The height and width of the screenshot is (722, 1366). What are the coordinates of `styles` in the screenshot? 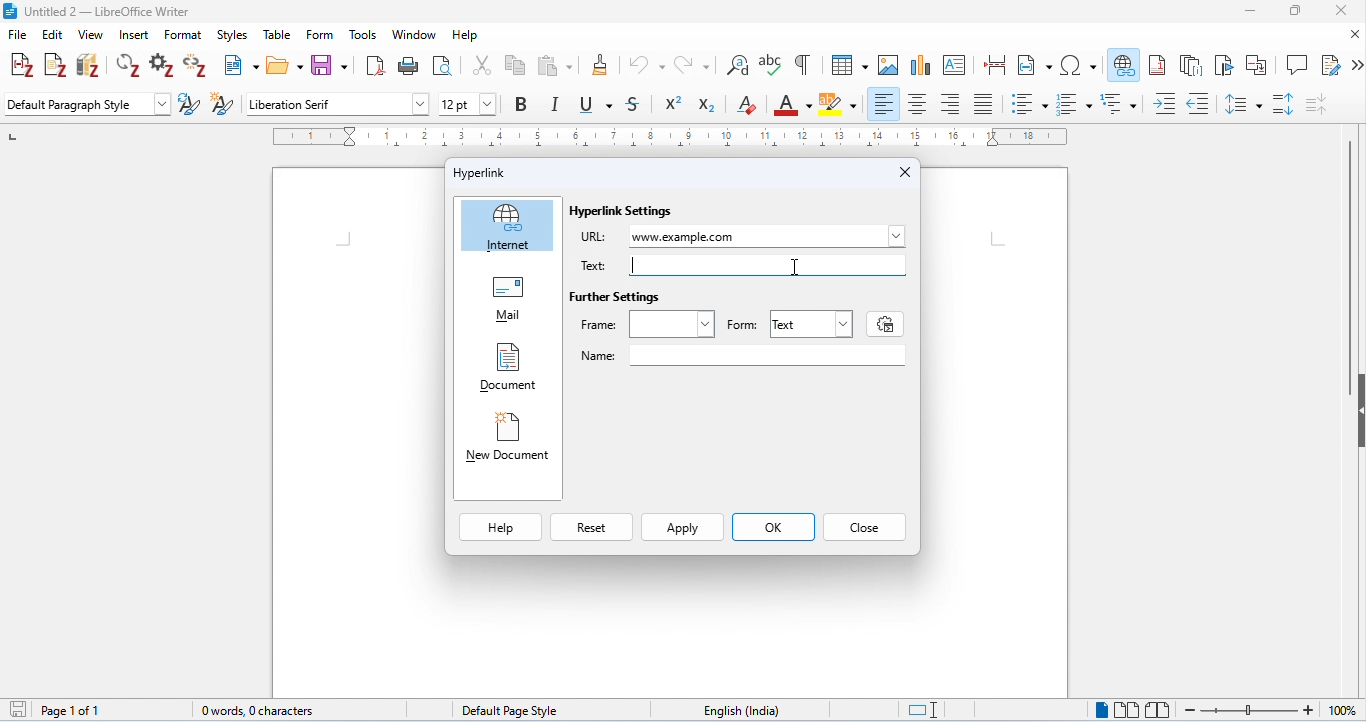 It's located at (232, 35).